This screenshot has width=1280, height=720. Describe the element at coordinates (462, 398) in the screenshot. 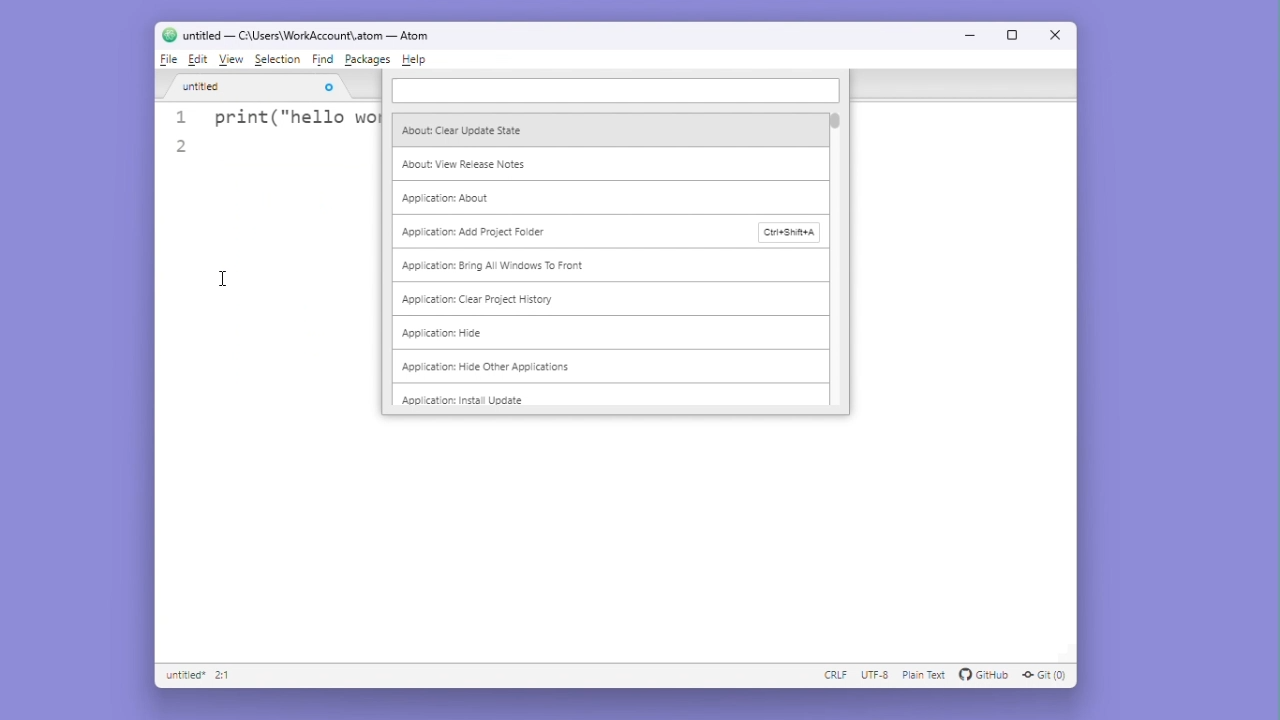

I see `Application install update` at that location.